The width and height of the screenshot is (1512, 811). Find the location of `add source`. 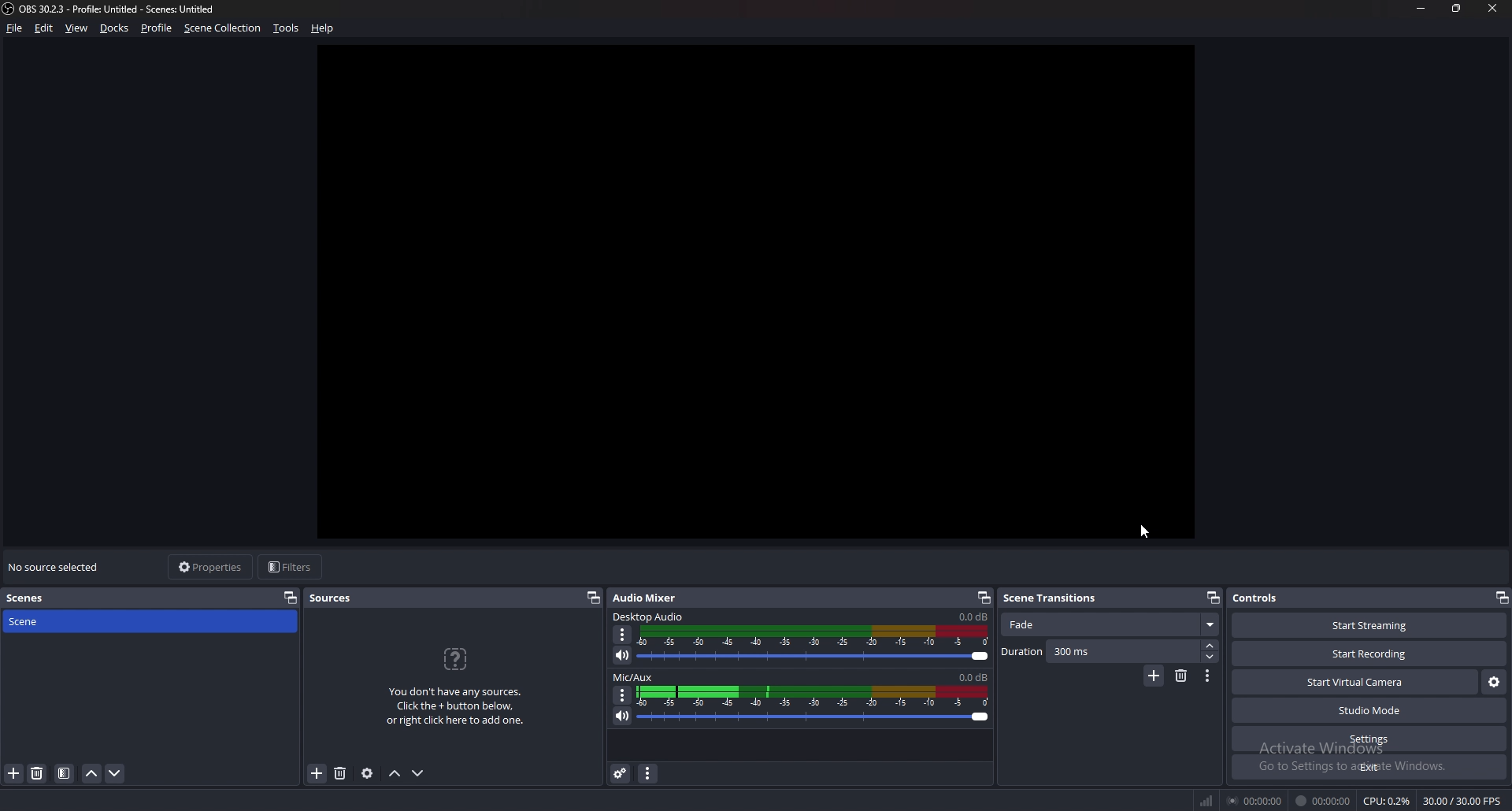

add source is located at coordinates (316, 774).